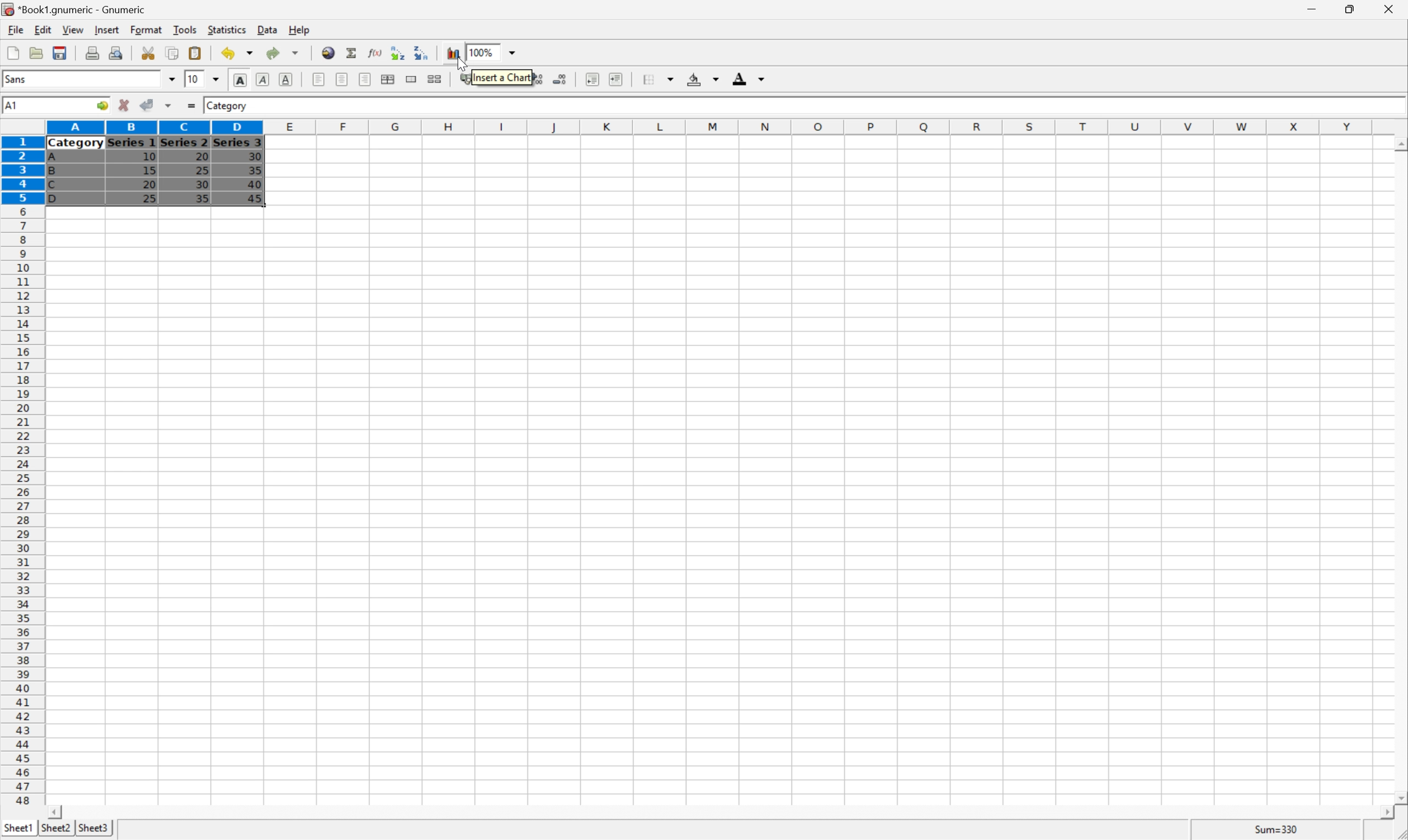 This screenshot has width=1408, height=840. Describe the element at coordinates (701, 78) in the screenshot. I see `Background` at that location.